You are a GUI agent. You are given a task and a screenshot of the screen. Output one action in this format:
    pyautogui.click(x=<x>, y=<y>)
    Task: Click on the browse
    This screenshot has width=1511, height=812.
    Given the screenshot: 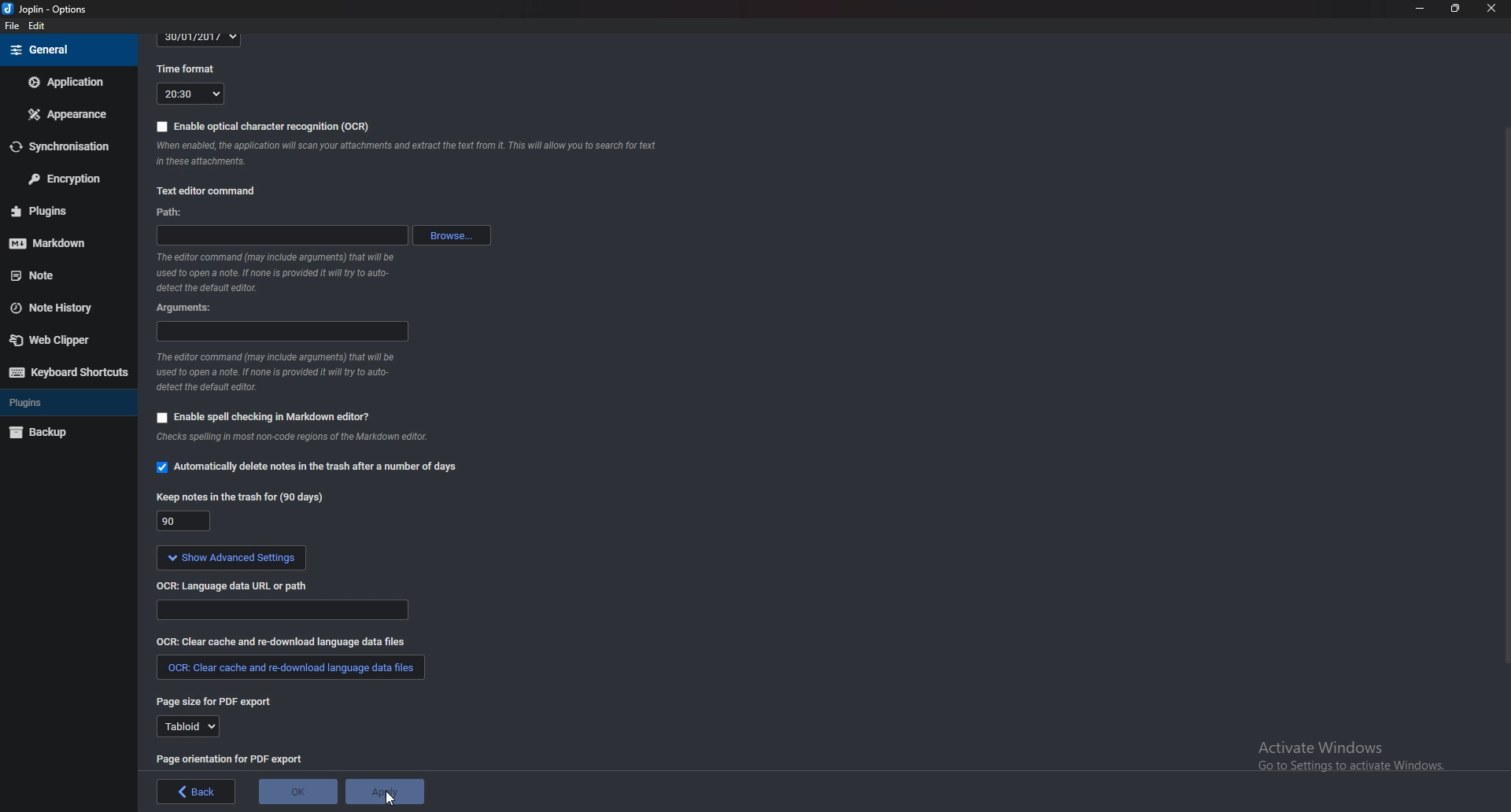 What is the action you would take?
    pyautogui.click(x=453, y=235)
    